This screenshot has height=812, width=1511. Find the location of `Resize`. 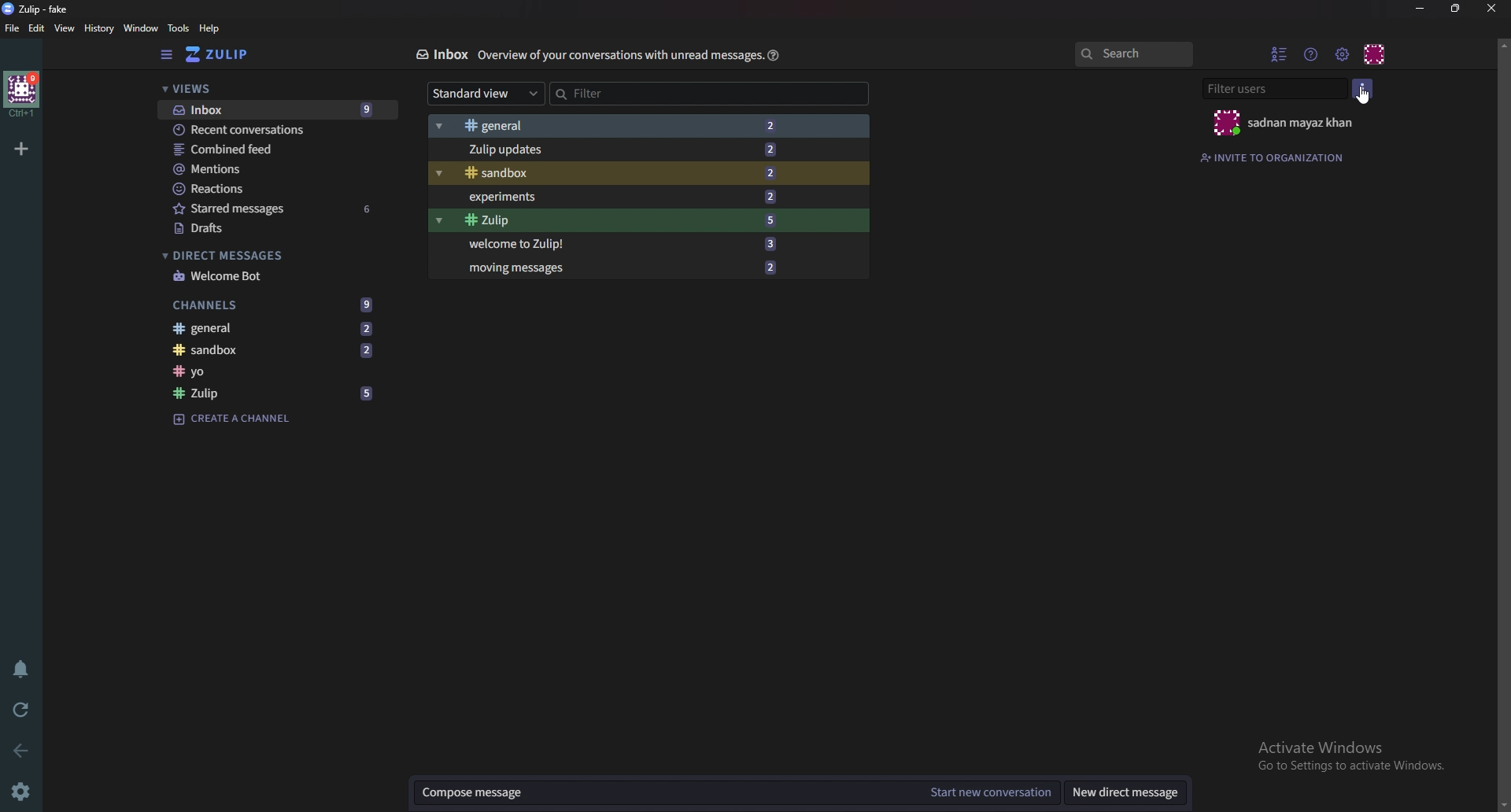

Resize is located at coordinates (1456, 9).